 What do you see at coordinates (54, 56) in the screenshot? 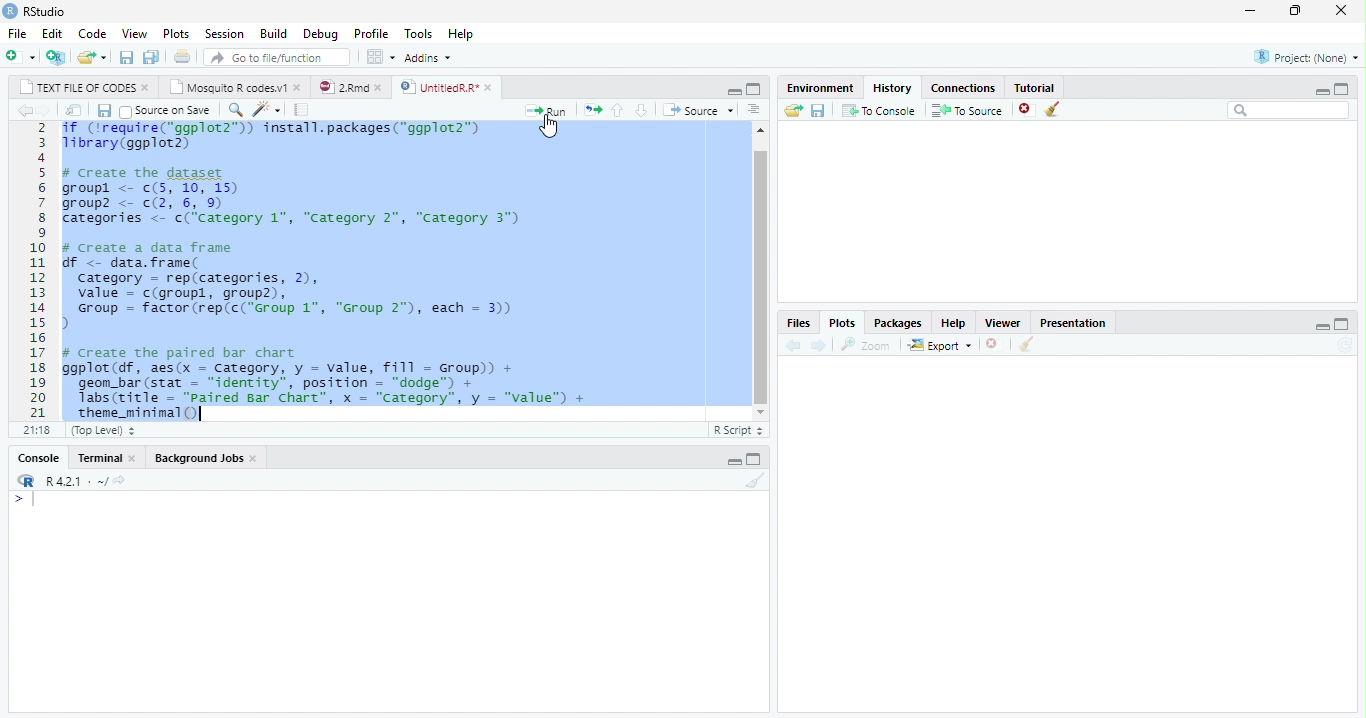
I see `create a project` at bounding box center [54, 56].